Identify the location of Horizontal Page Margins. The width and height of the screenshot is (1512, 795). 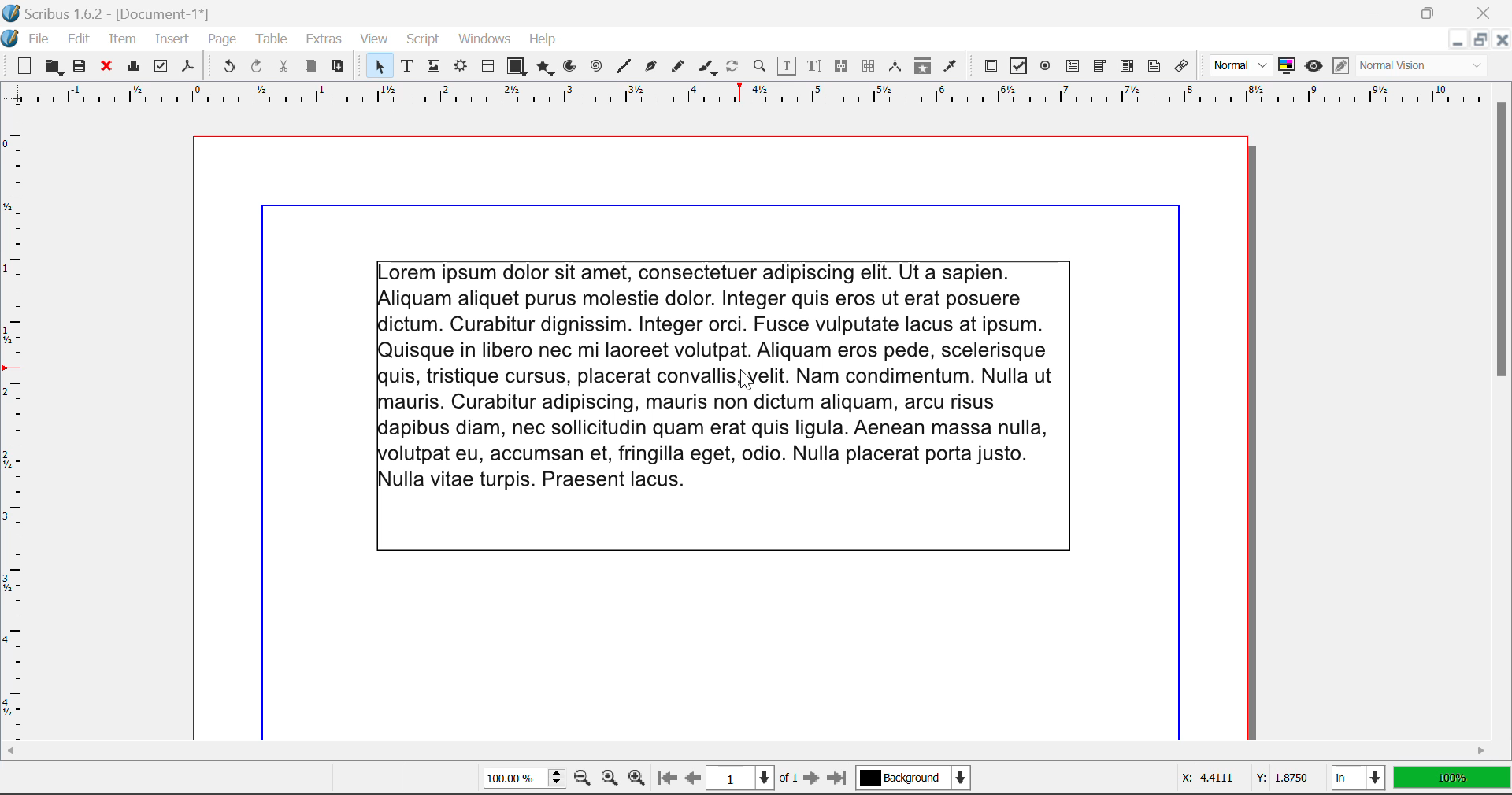
(20, 431).